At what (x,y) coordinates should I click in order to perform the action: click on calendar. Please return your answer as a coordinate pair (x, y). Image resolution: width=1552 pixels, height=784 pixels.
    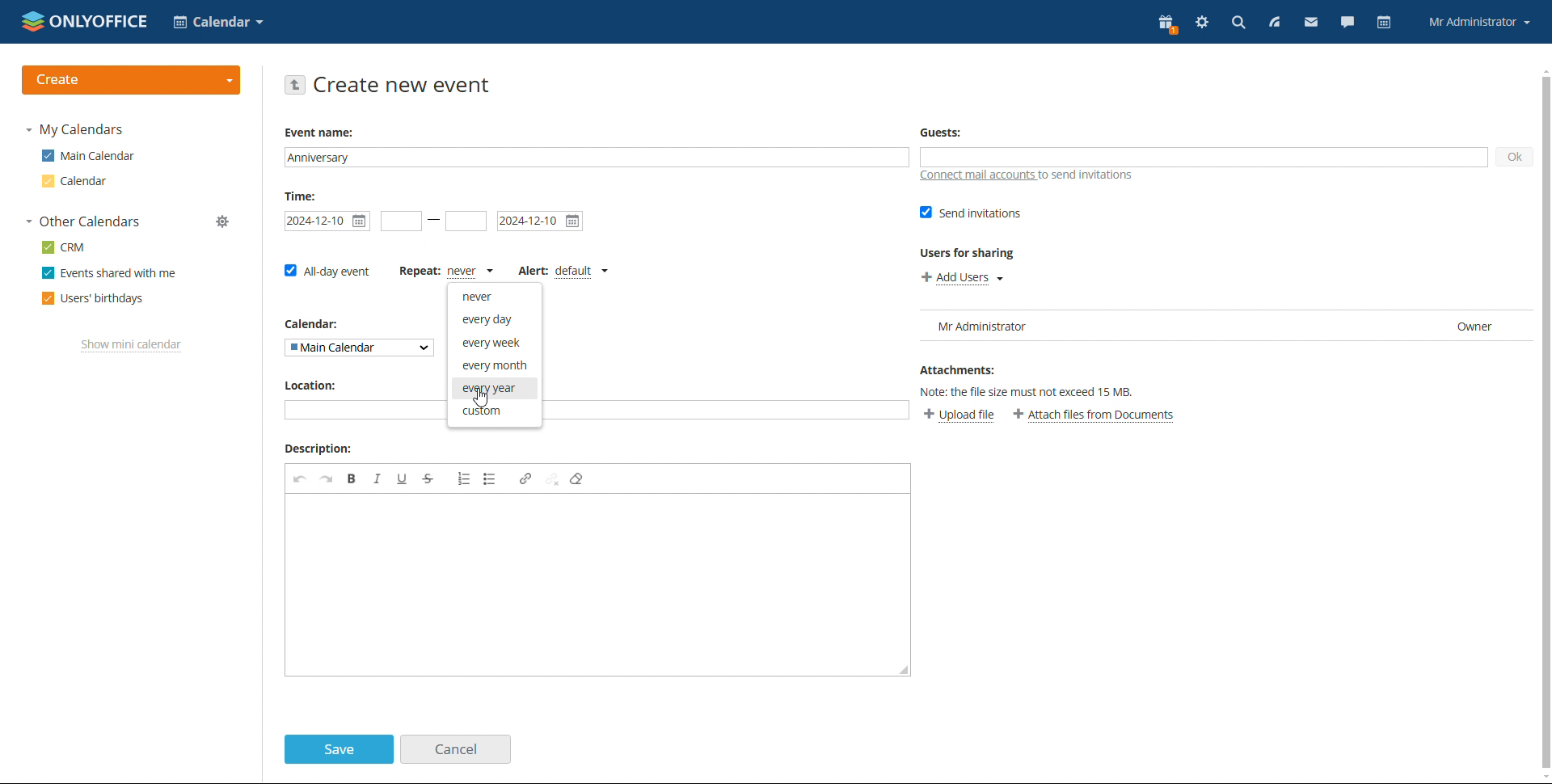
    Looking at the image, I should click on (1383, 23).